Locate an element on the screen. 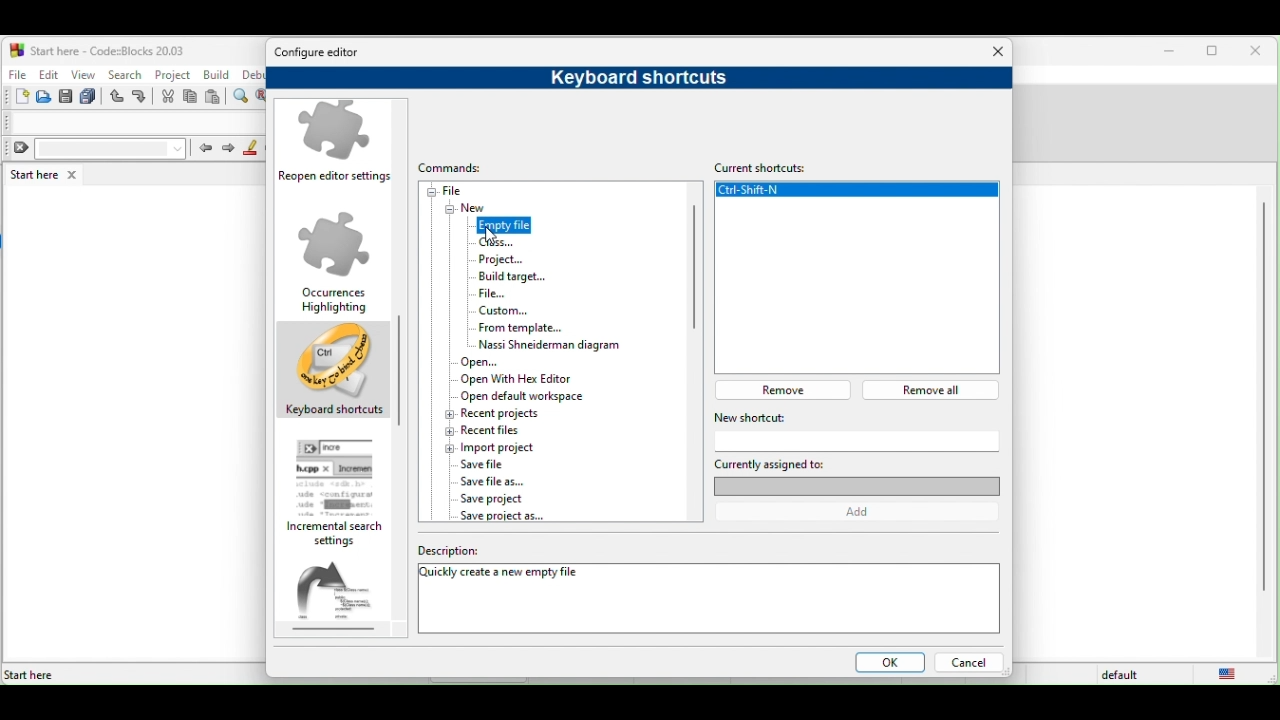 The image size is (1280, 720). save project is located at coordinates (505, 499).